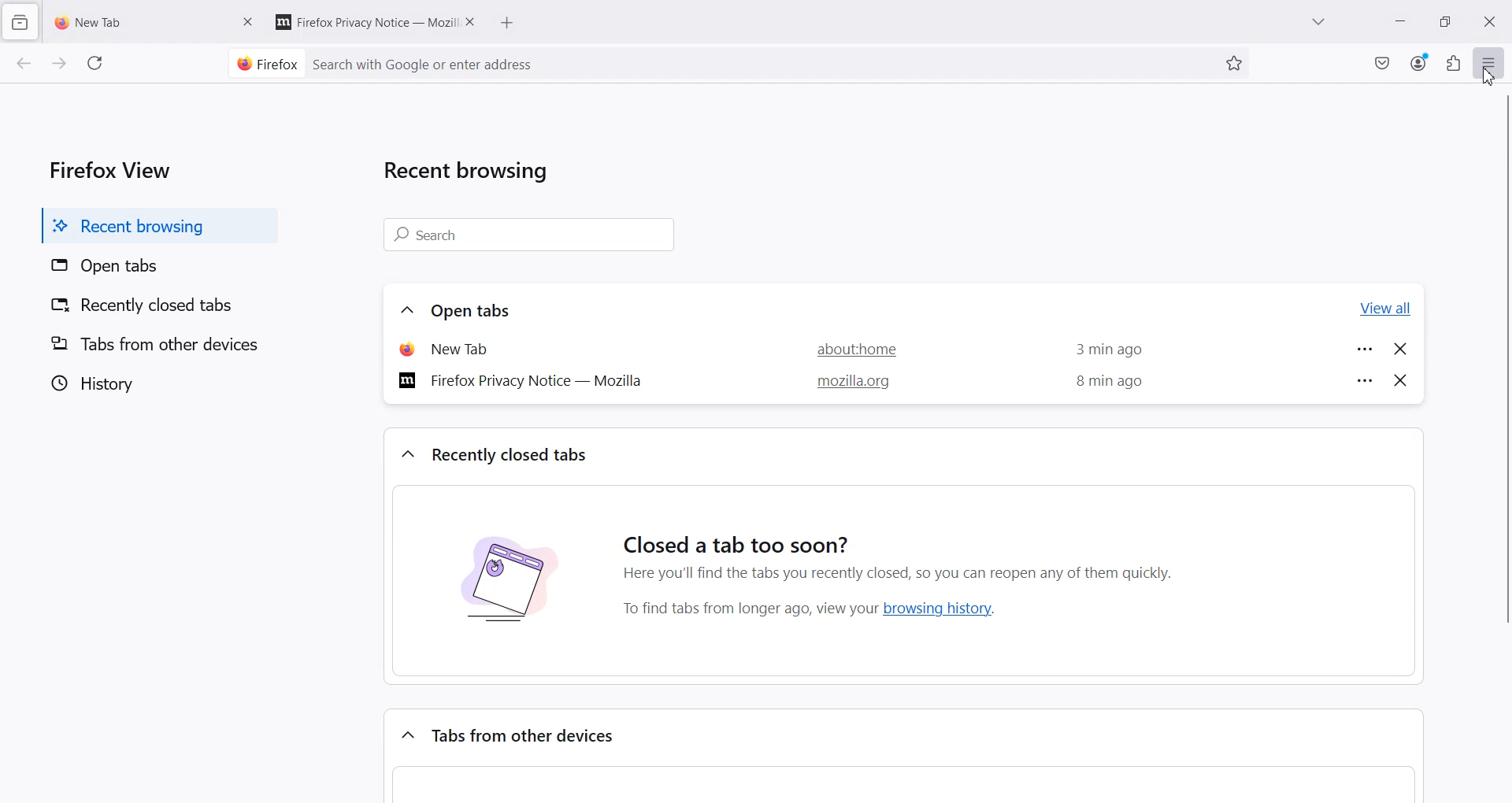 Image resolution: width=1512 pixels, height=803 pixels. What do you see at coordinates (513, 454) in the screenshot?
I see `Recently closed tabs` at bounding box center [513, 454].